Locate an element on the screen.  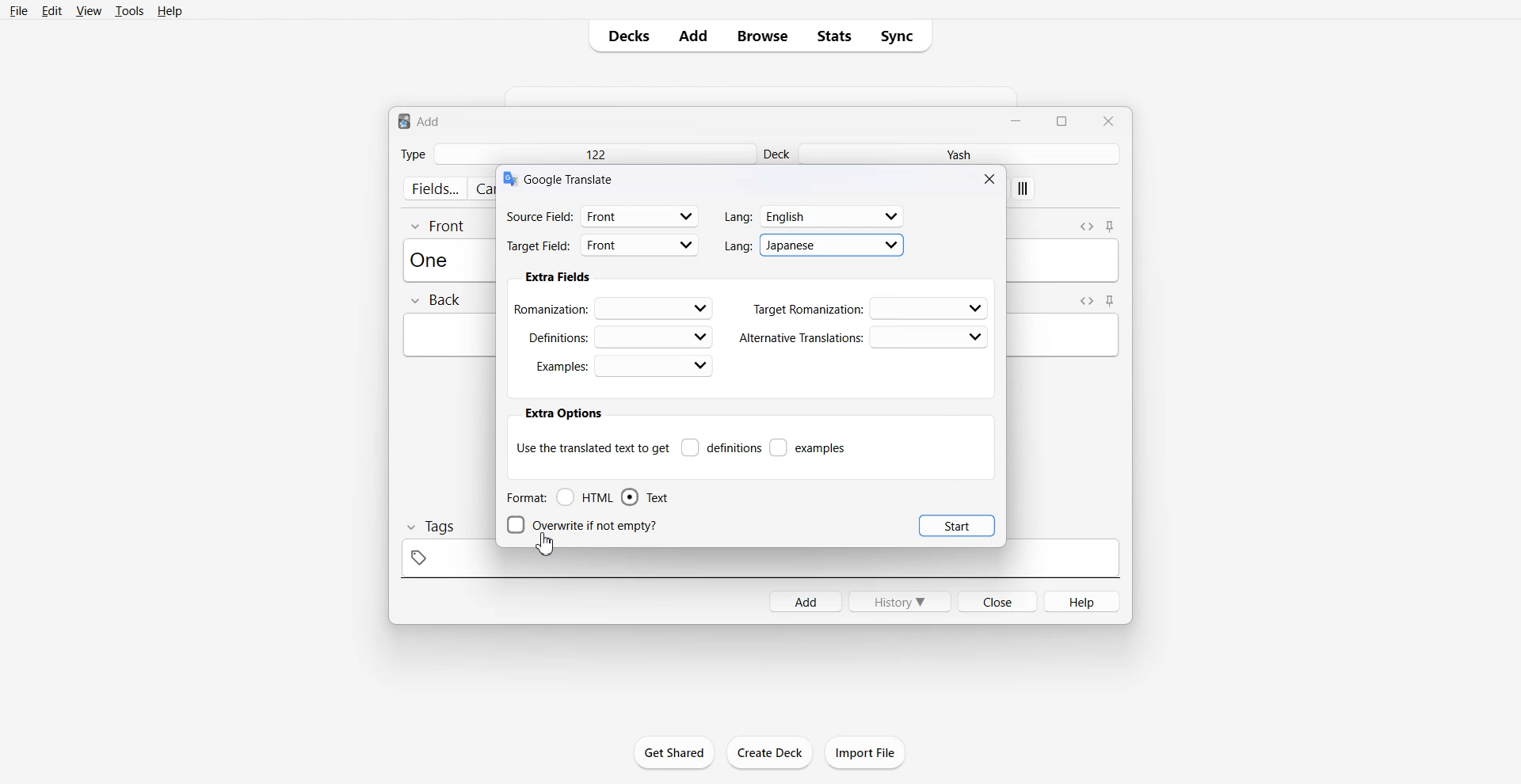
Add is located at coordinates (693, 36).